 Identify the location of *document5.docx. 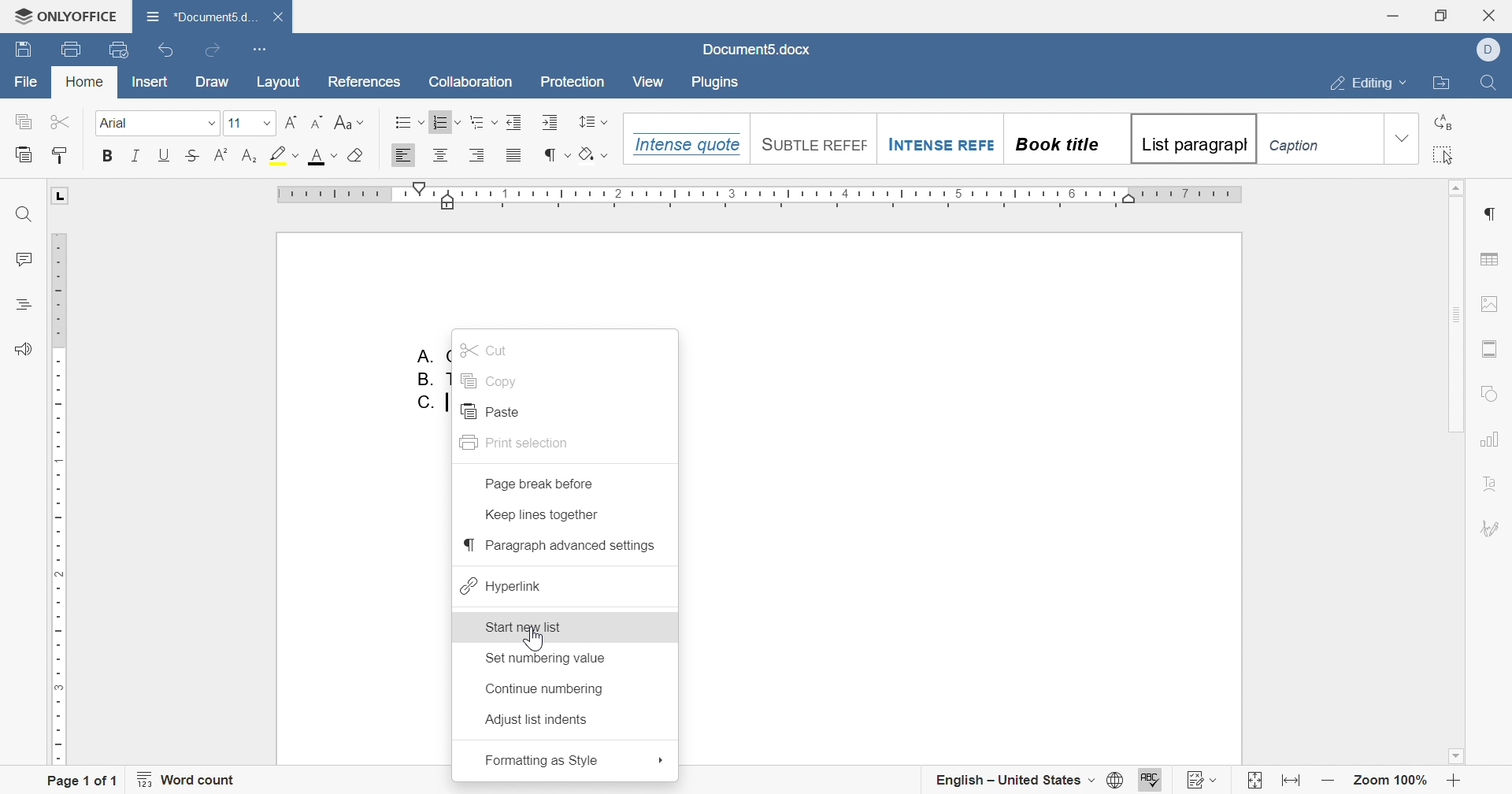
(203, 16).